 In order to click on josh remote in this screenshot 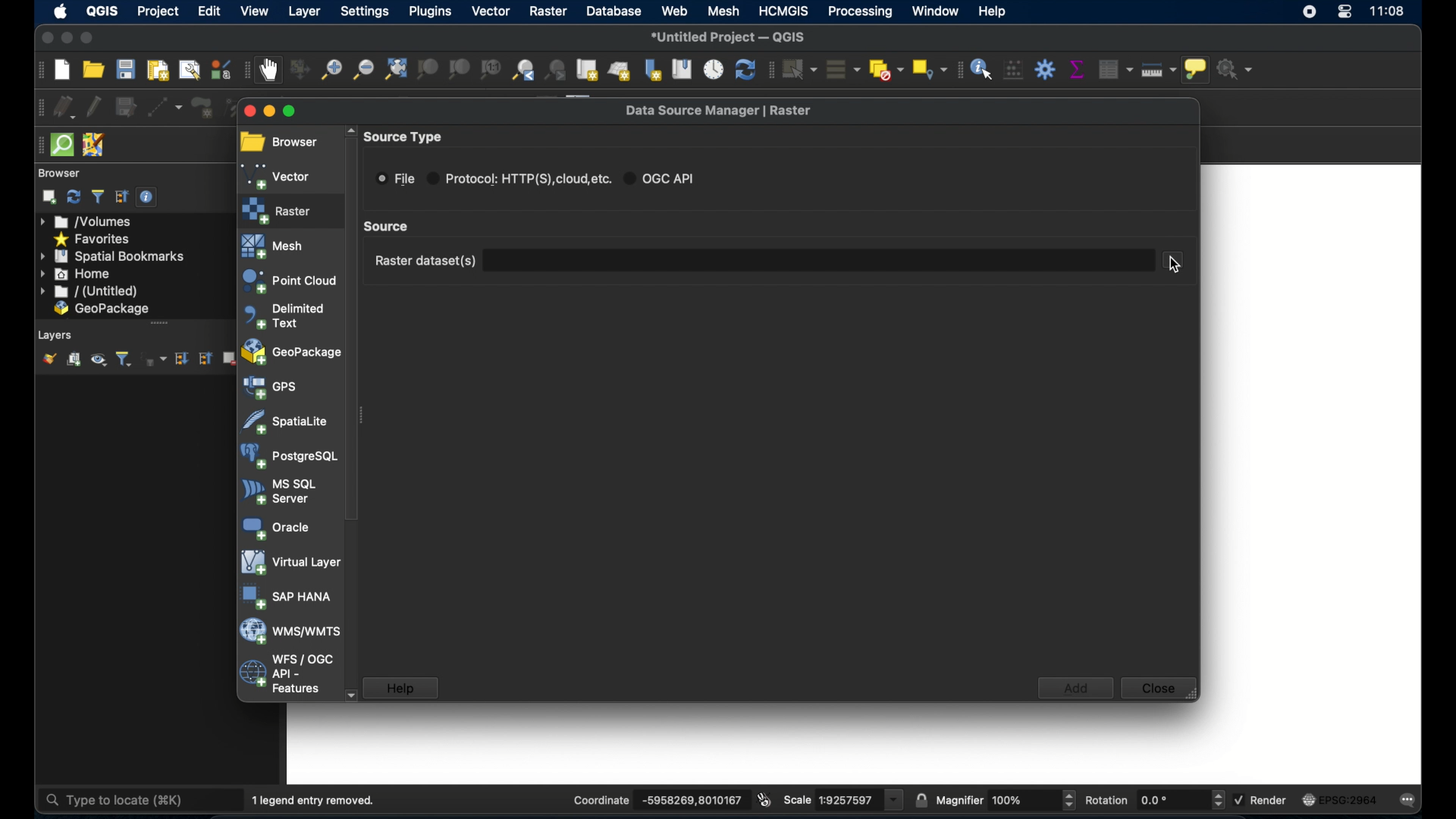, I will do `click(93, 144)`.